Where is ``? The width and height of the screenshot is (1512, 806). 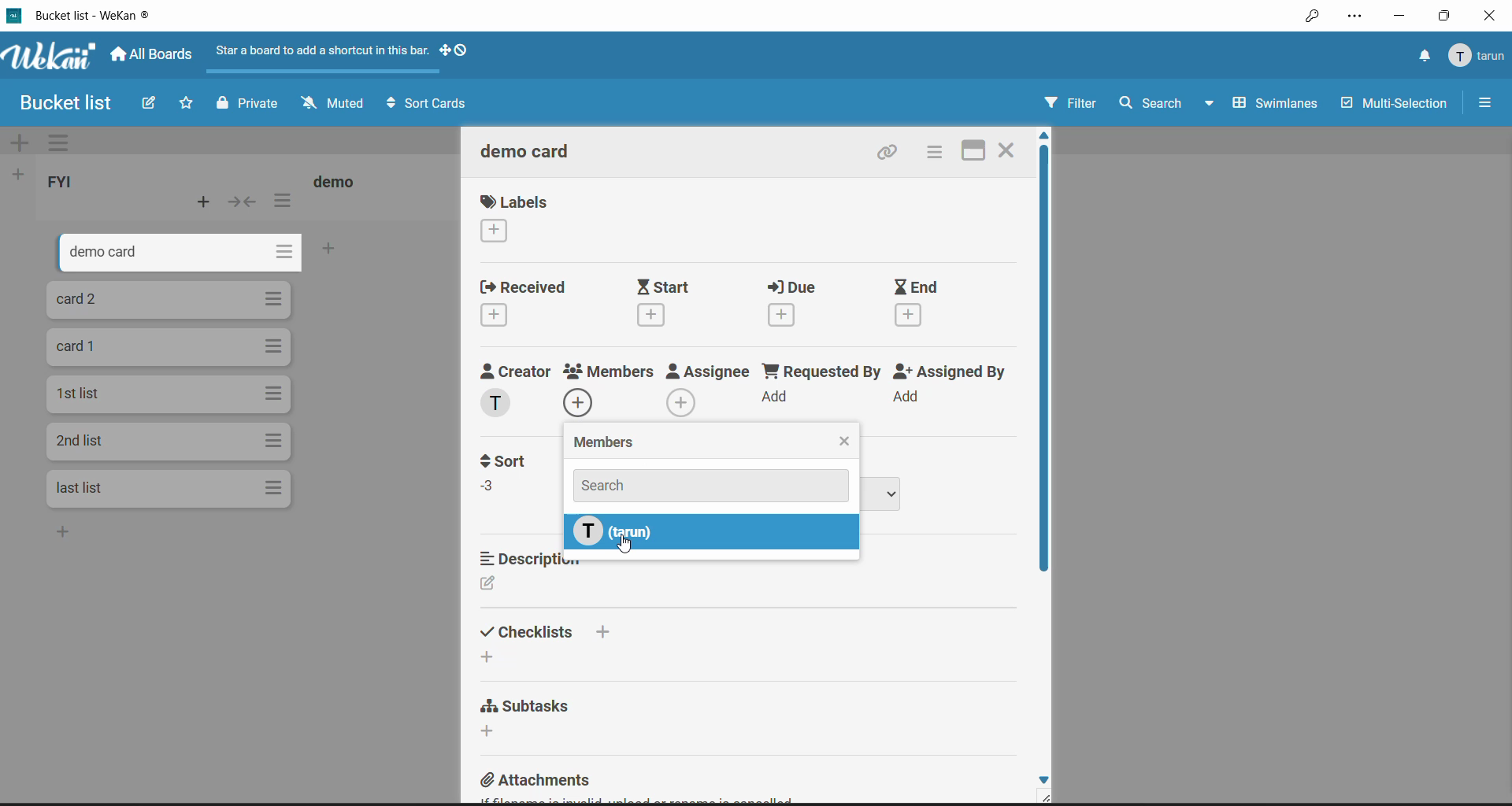  is located at coordinates (799, 287).